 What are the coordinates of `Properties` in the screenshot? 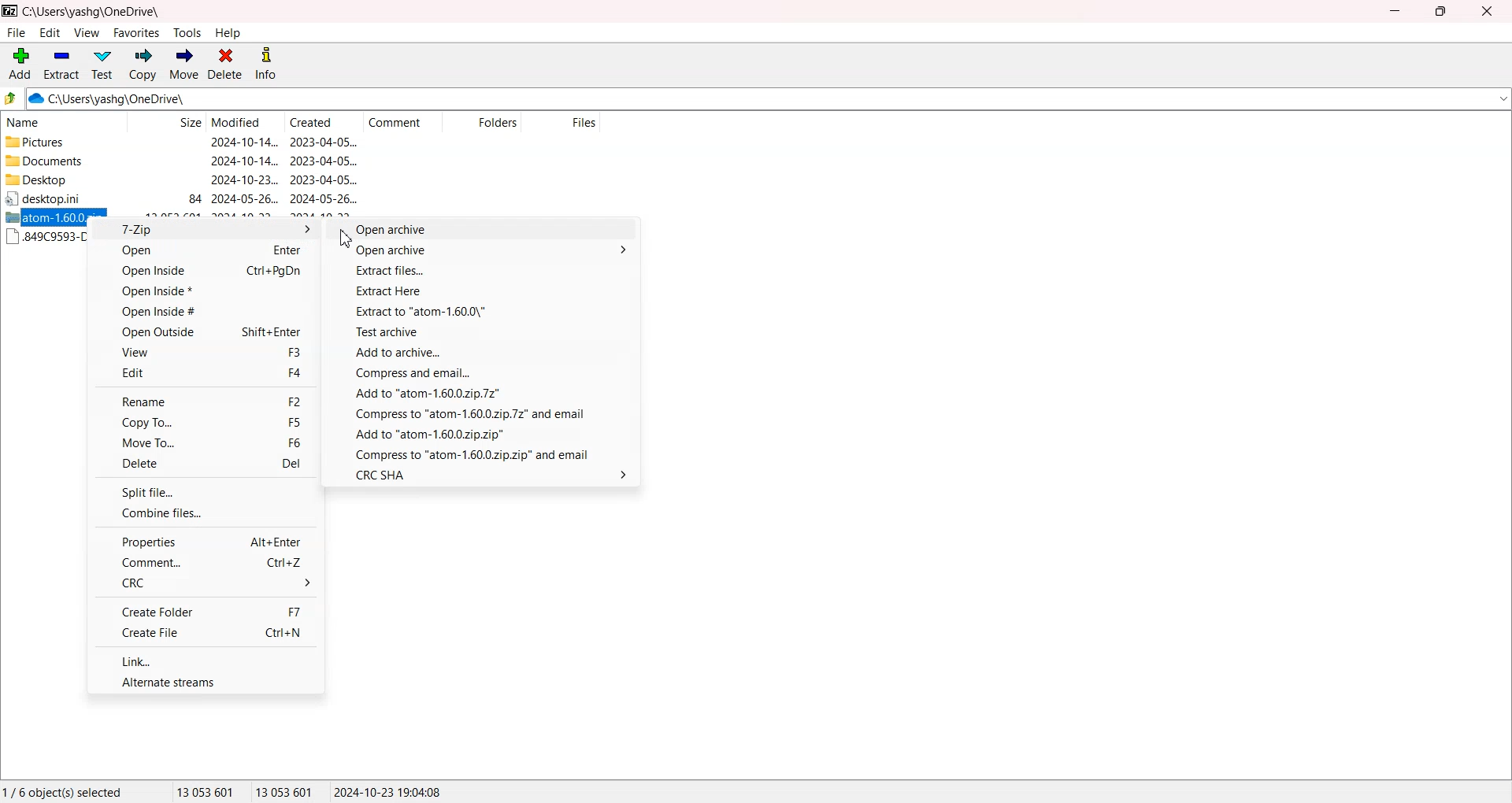 It's located at (205, 541).